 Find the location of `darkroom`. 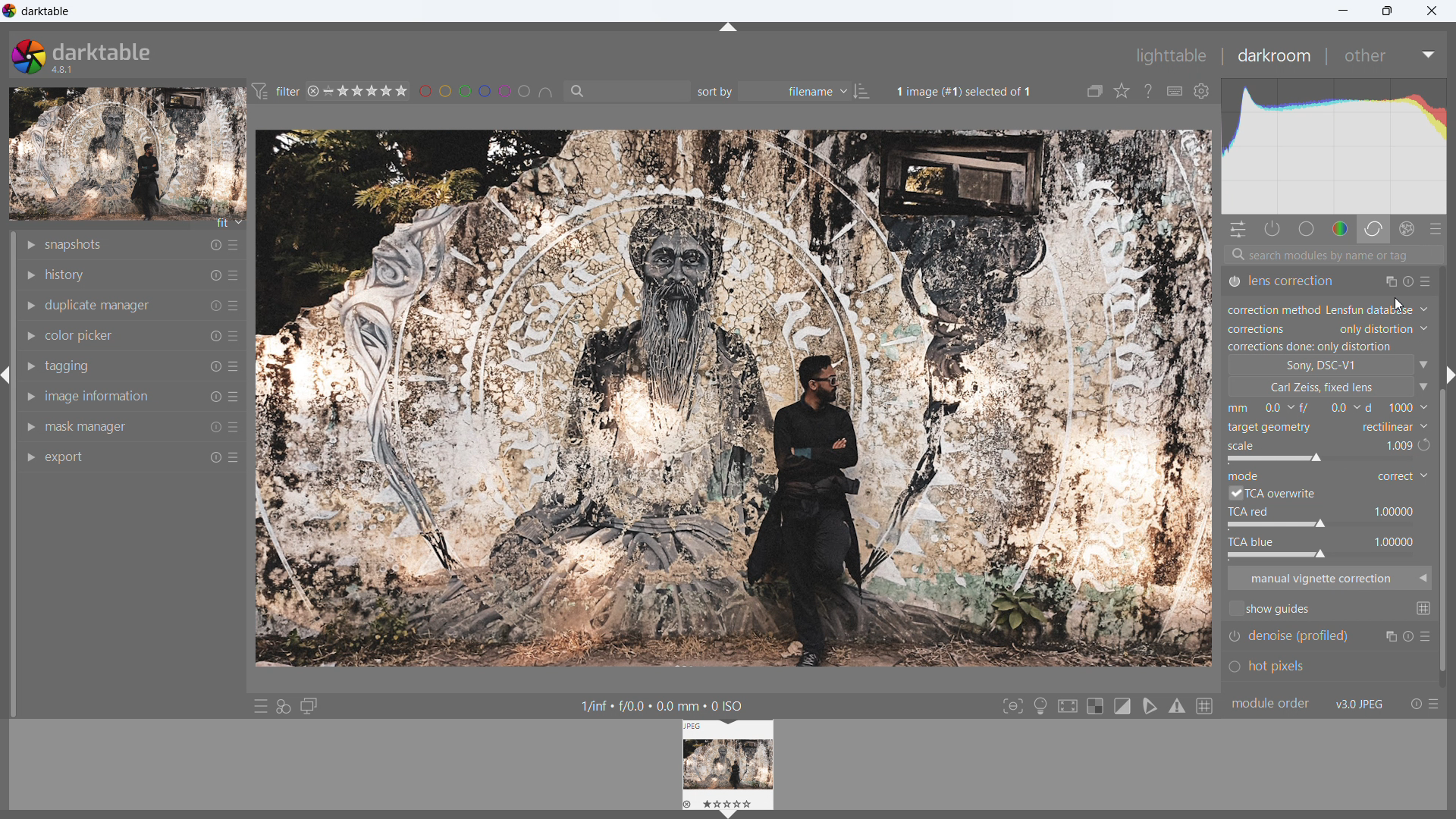

darkroom is located at coordinates (1274, 55).